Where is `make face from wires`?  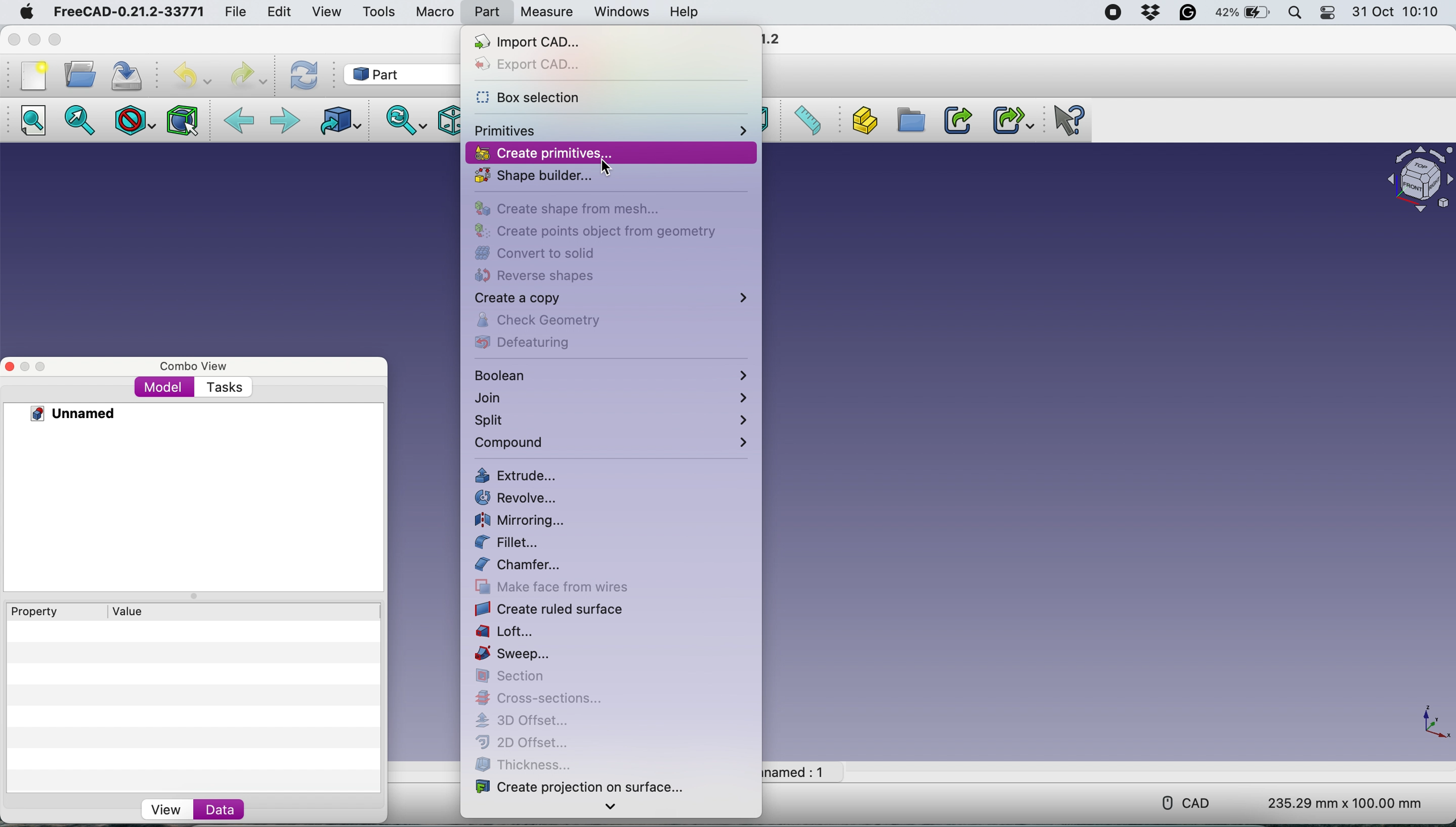 make face from wires is located at coordinates (555, 586).